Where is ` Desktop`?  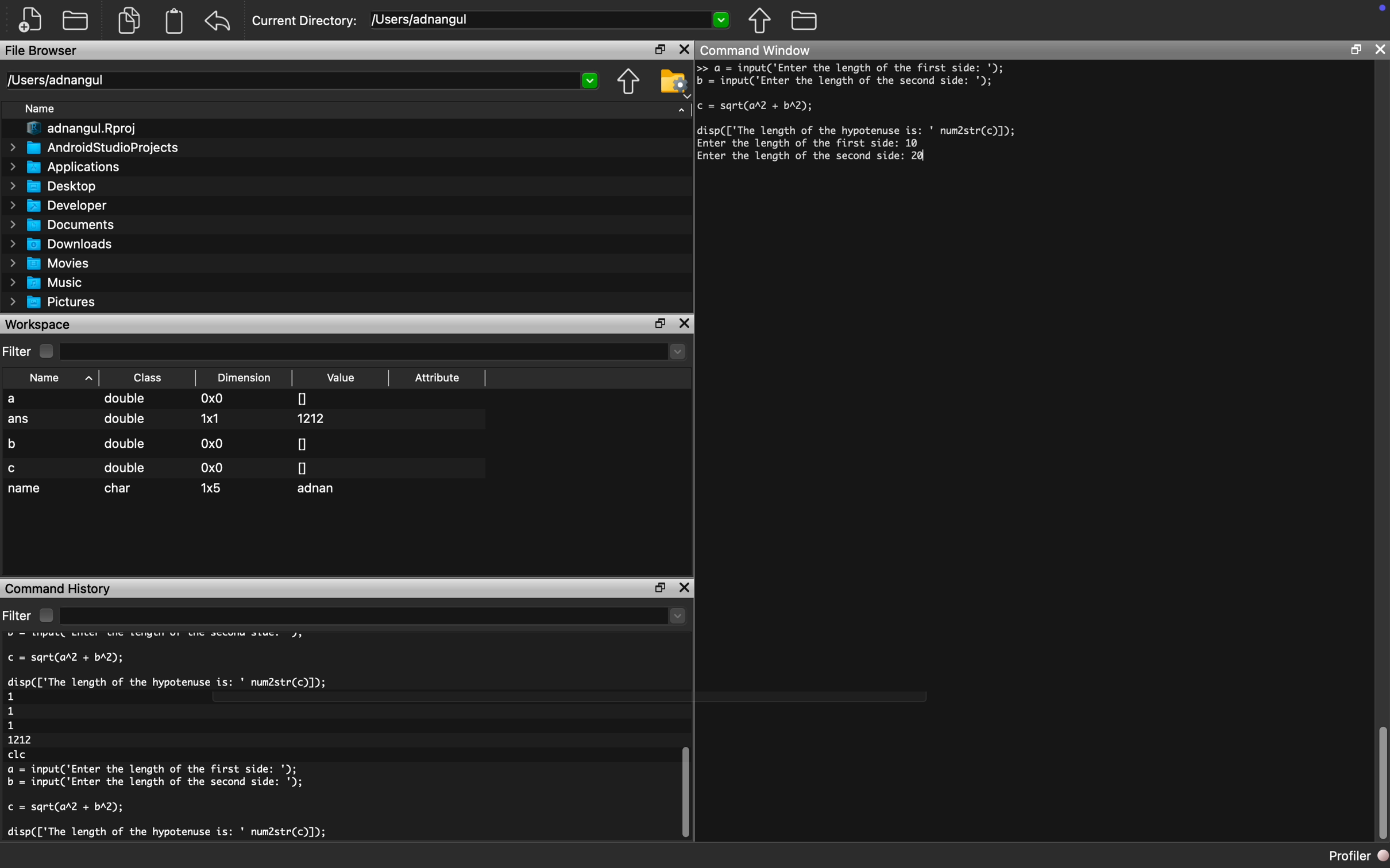
 Desktop is located at coordinates (60, 185).